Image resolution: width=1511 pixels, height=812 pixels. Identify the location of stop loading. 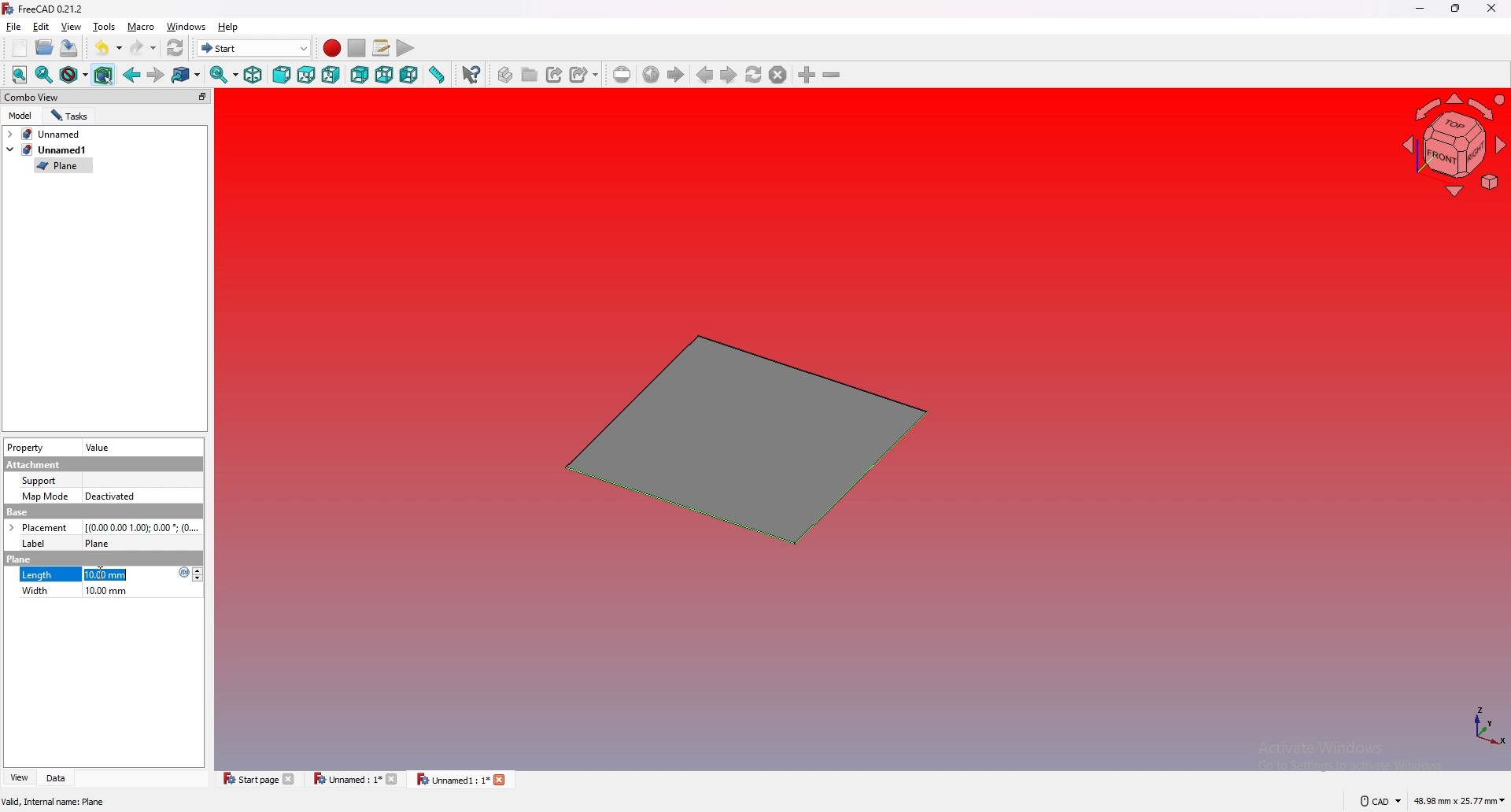
(778, 75).